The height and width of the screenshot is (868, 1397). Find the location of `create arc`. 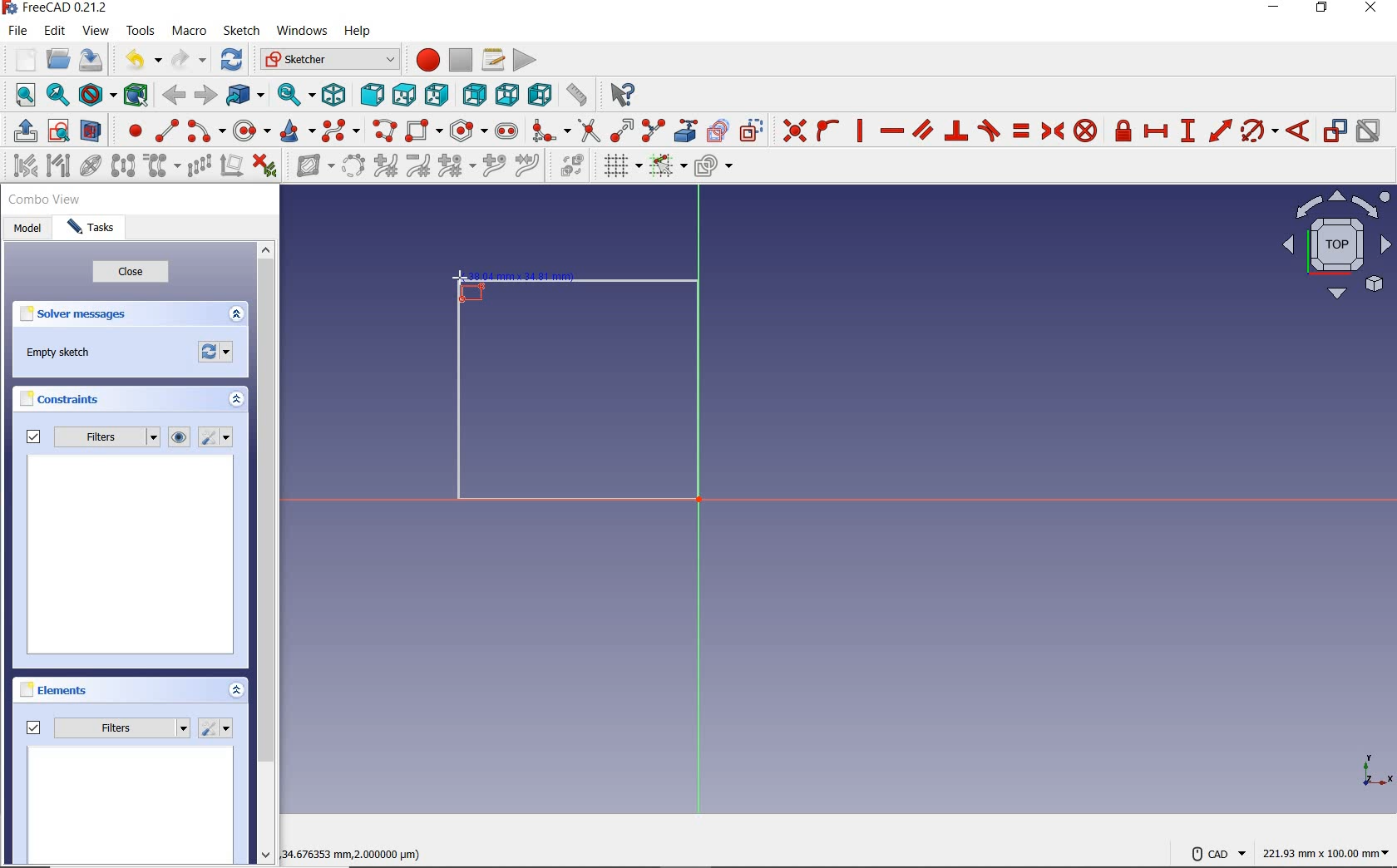

create arc is located at coordinates (205, 132).